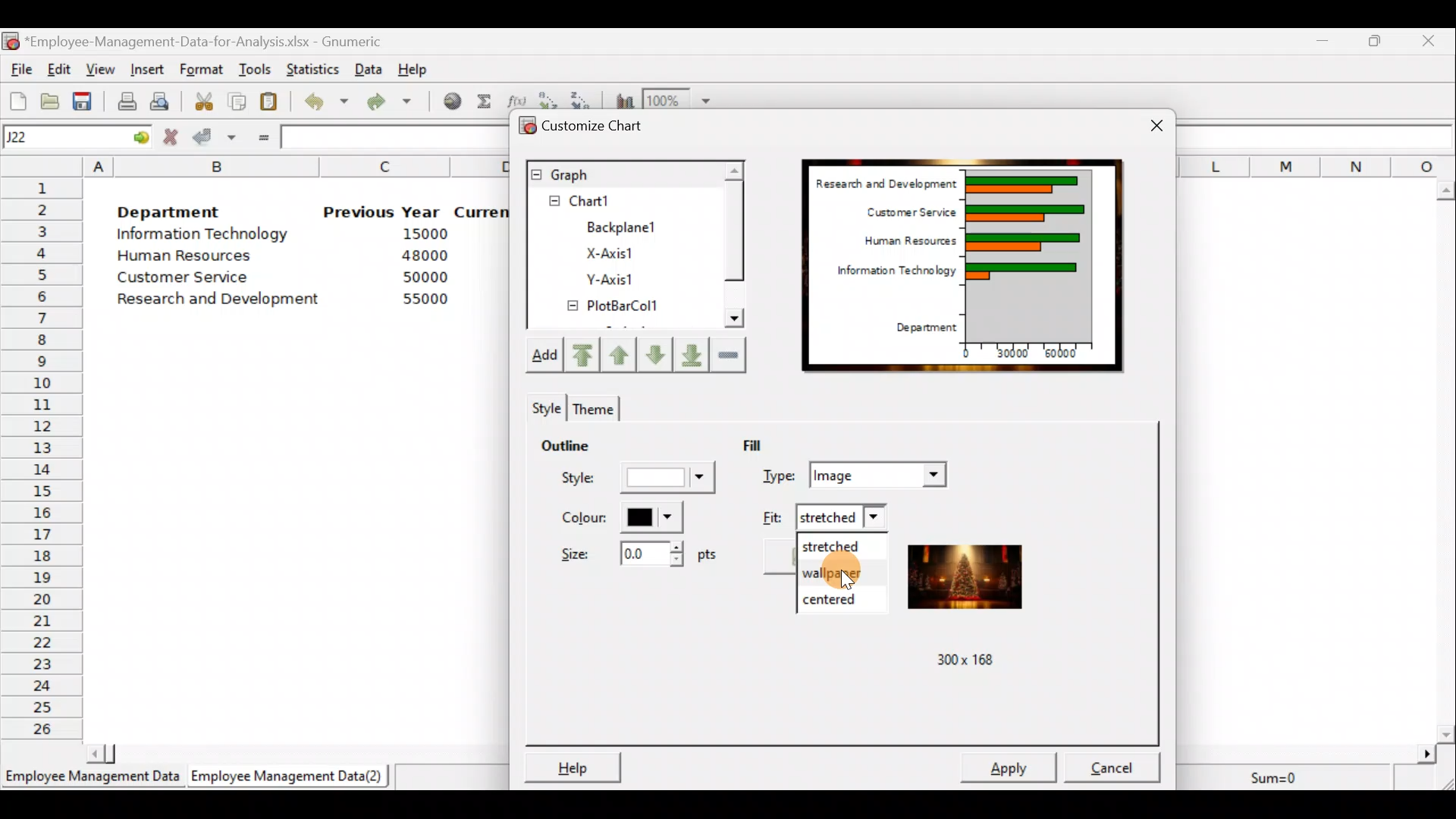  I want to click on PlotBarCol1, so click(613, 308).